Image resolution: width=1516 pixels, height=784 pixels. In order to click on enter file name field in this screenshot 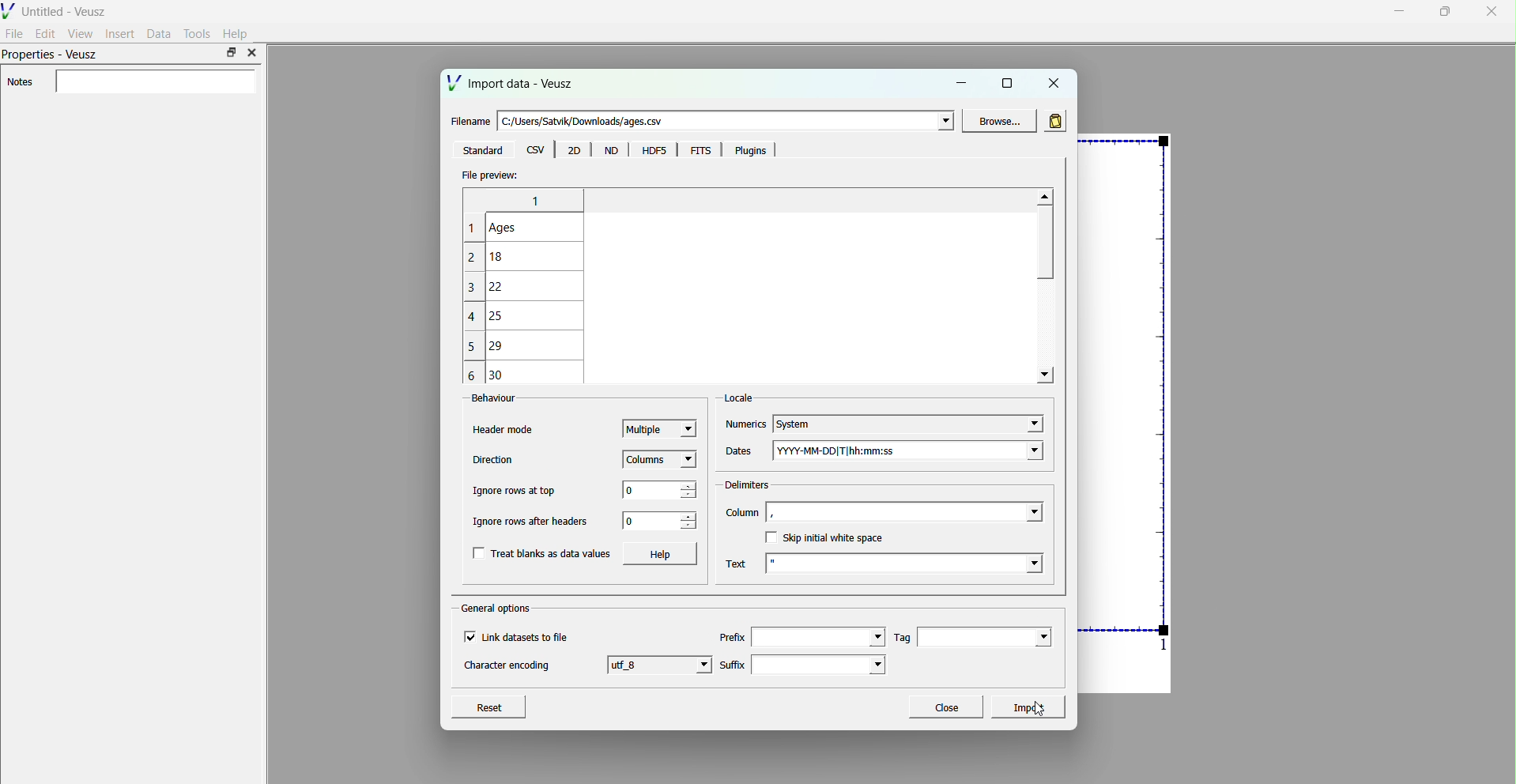, I will do `click(728, 122)`.